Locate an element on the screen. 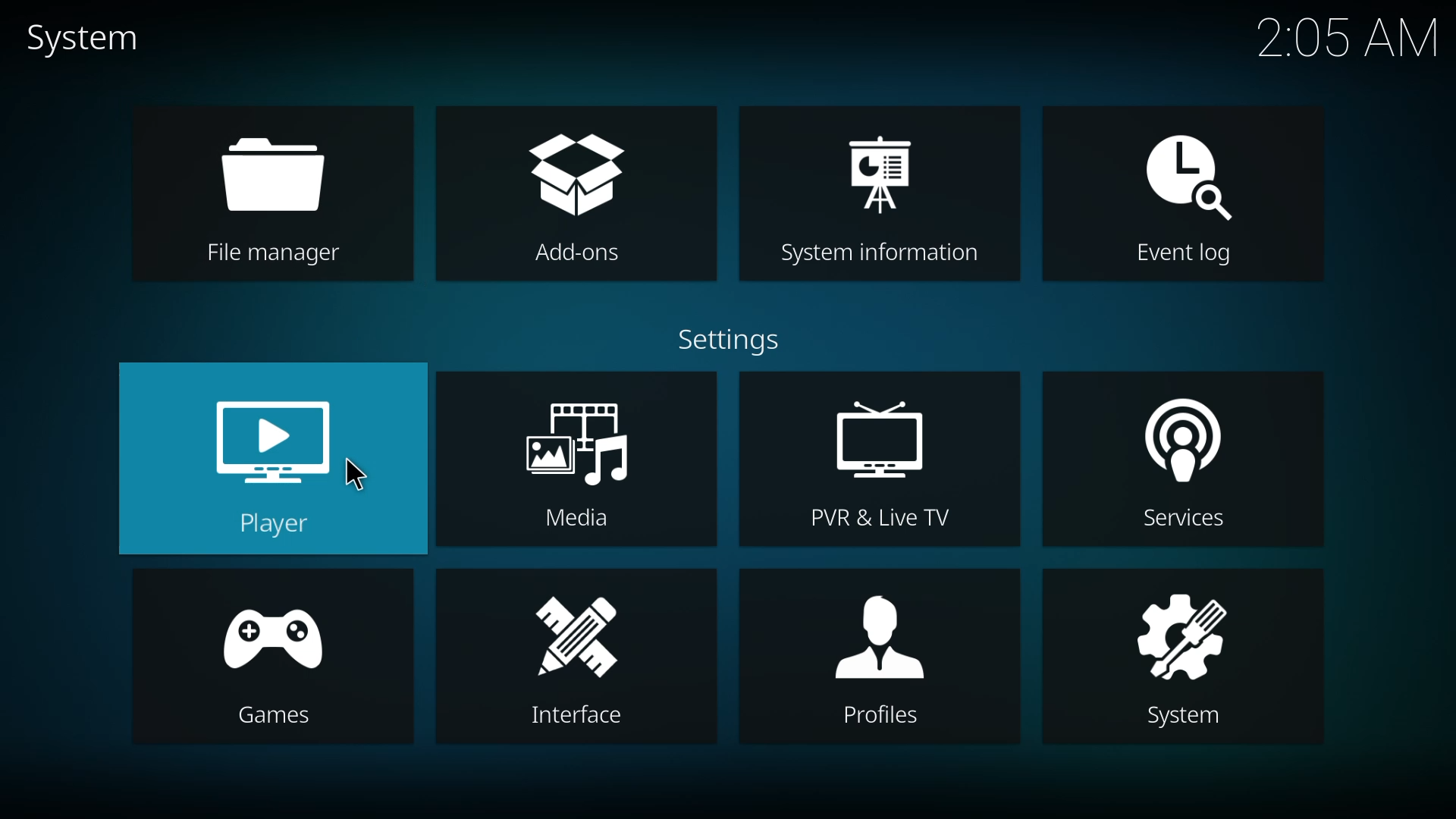 The height and width of the screenshot is (819, 1456). media is located at coordinates (573, 460).